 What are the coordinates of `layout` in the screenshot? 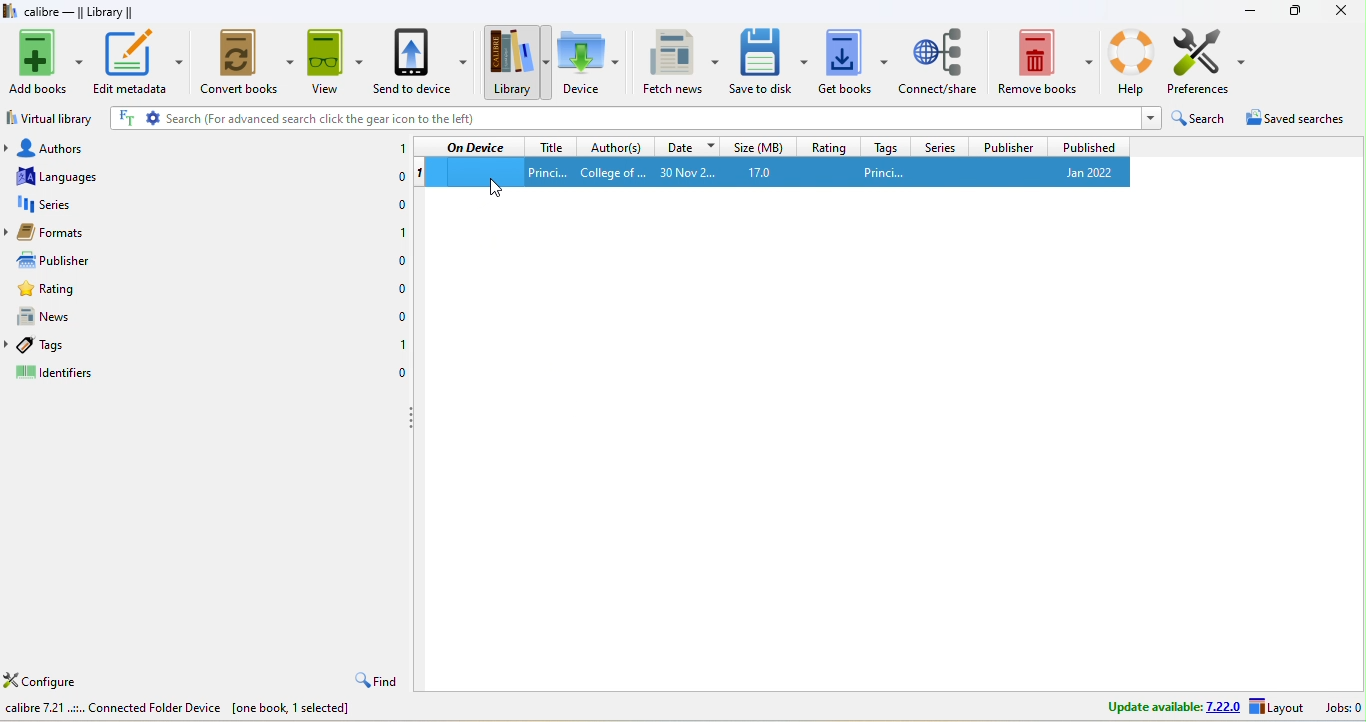 It's located at (1277, 708).